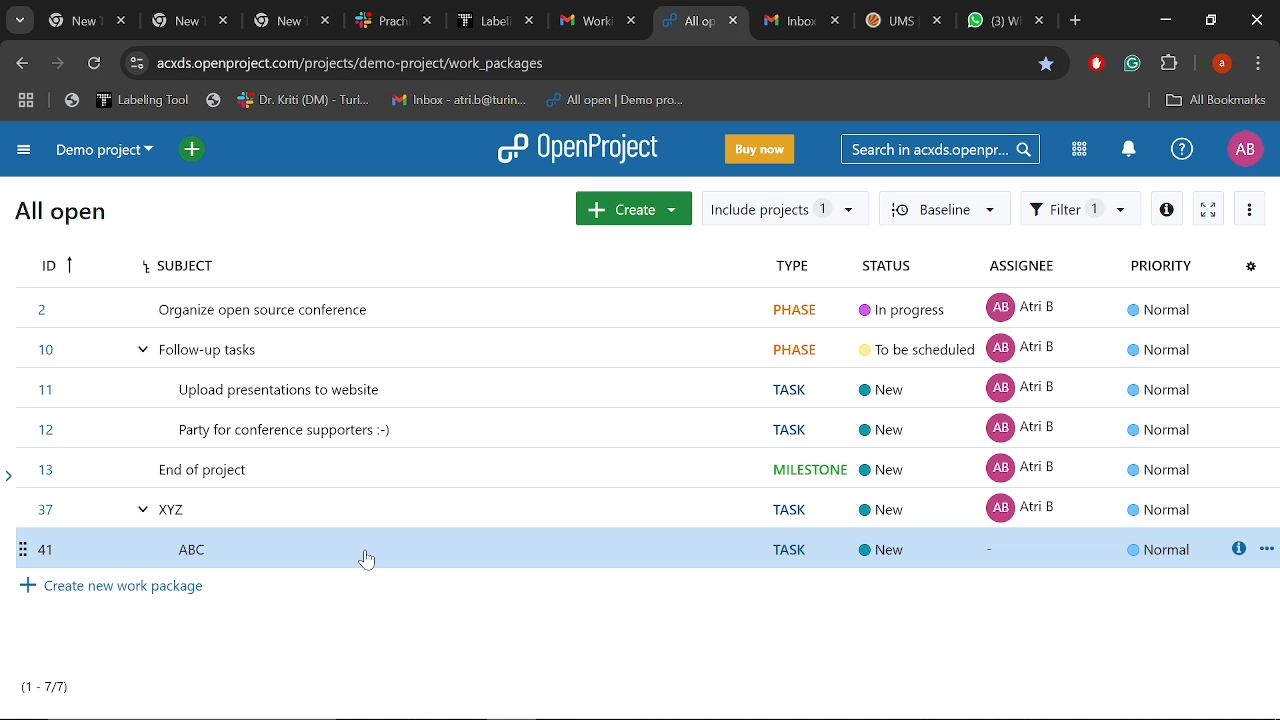 The height and width of the screenshot is (720, 1280). I want to click on Include projects, so click(786, 210).